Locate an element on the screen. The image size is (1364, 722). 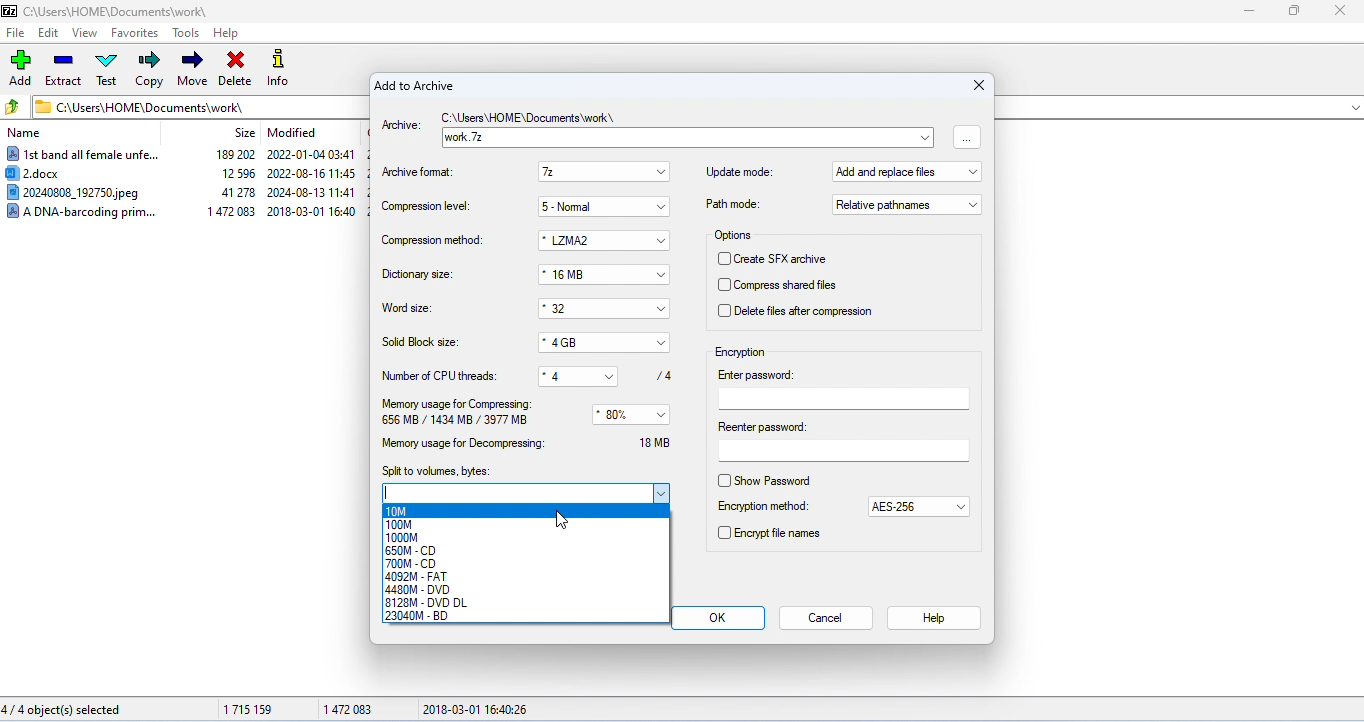
delete files after compression is located at coordinates (803, 311).